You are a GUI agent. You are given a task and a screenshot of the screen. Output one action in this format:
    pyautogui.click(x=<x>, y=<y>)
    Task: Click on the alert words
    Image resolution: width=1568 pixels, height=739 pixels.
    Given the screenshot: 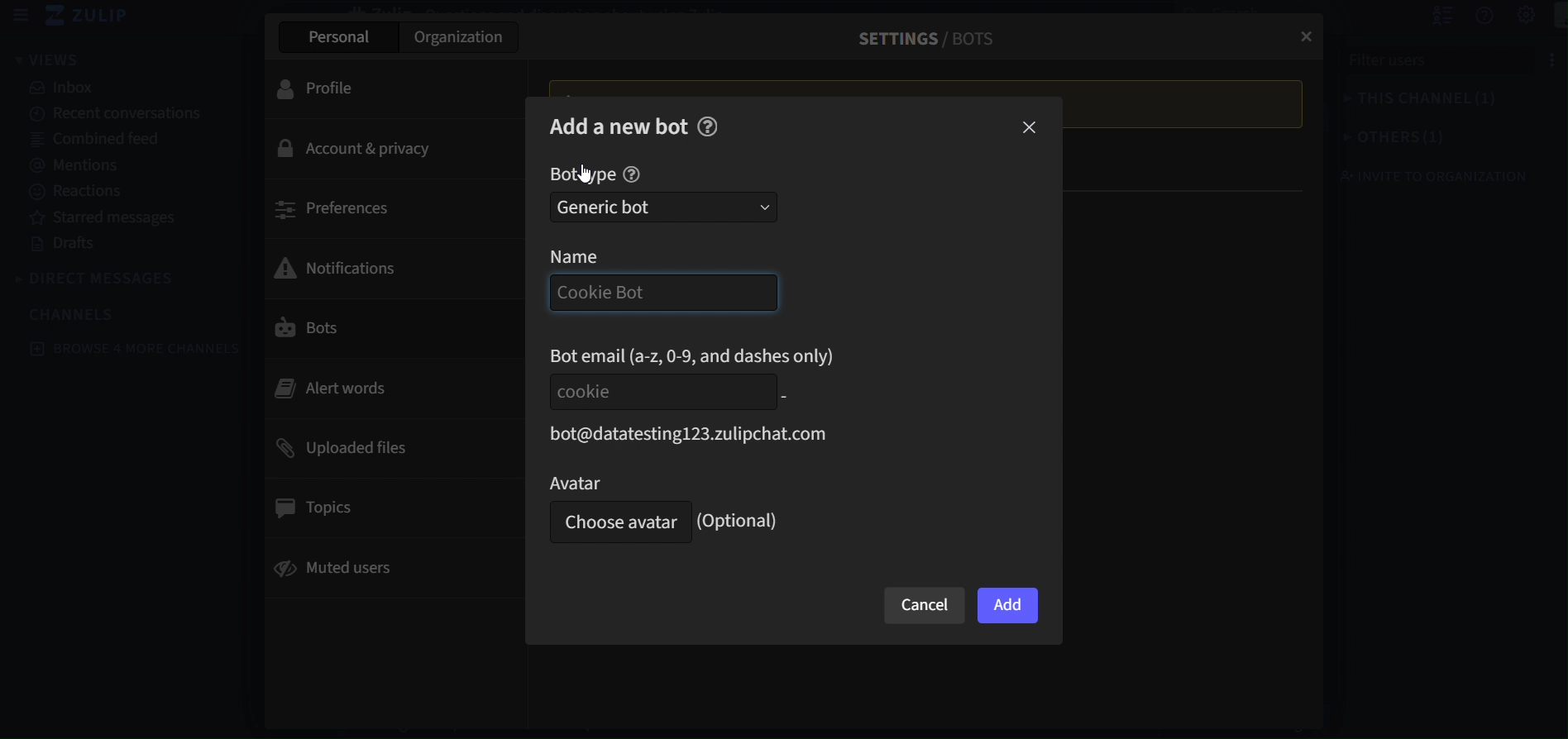 What is the action you would take?
    pyautogui.click(x=387, y=388)
    